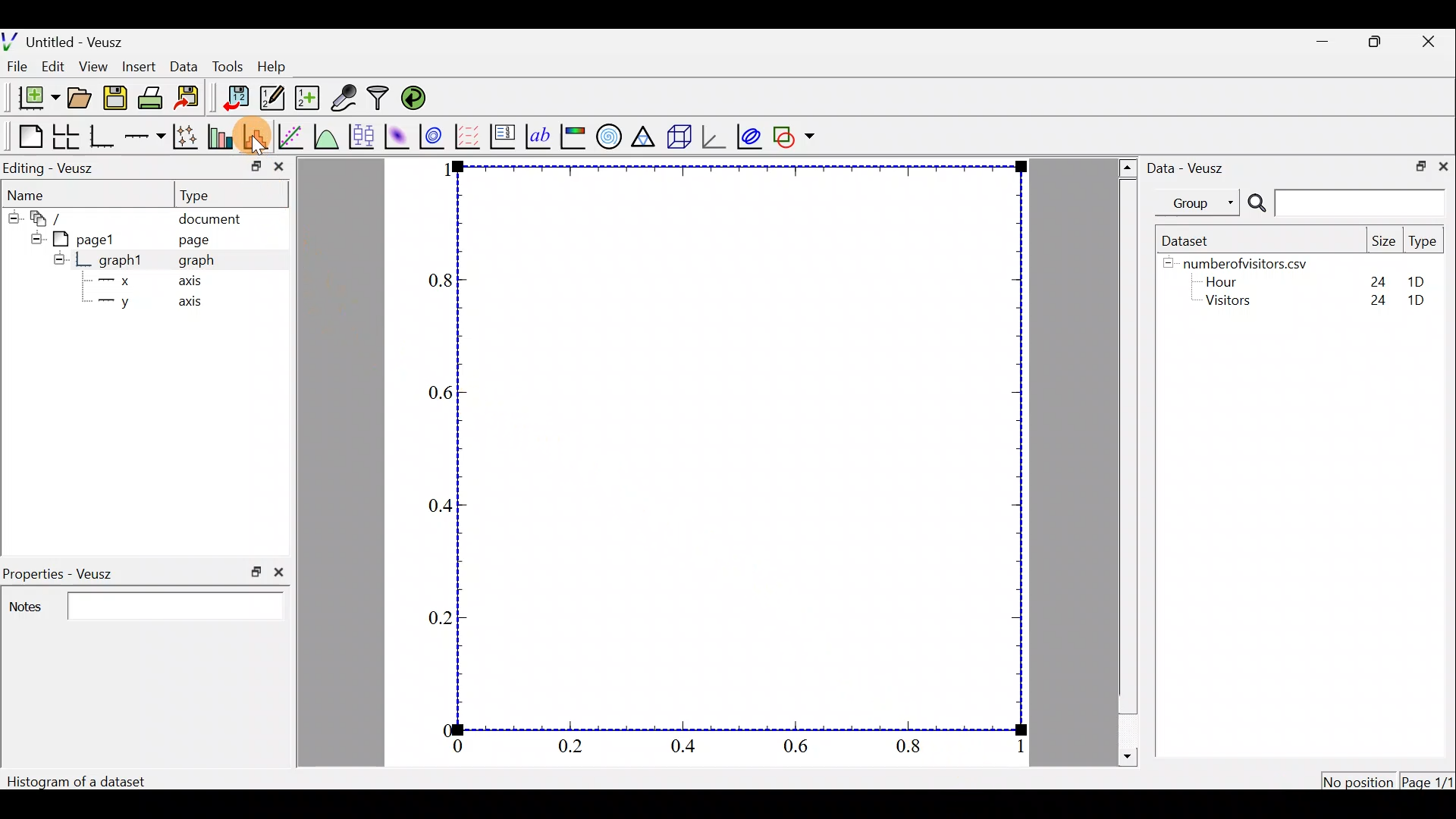 Image resolution: width=1456 pixels, height=819 pixels. I want to click on text label, so click(538, 136).